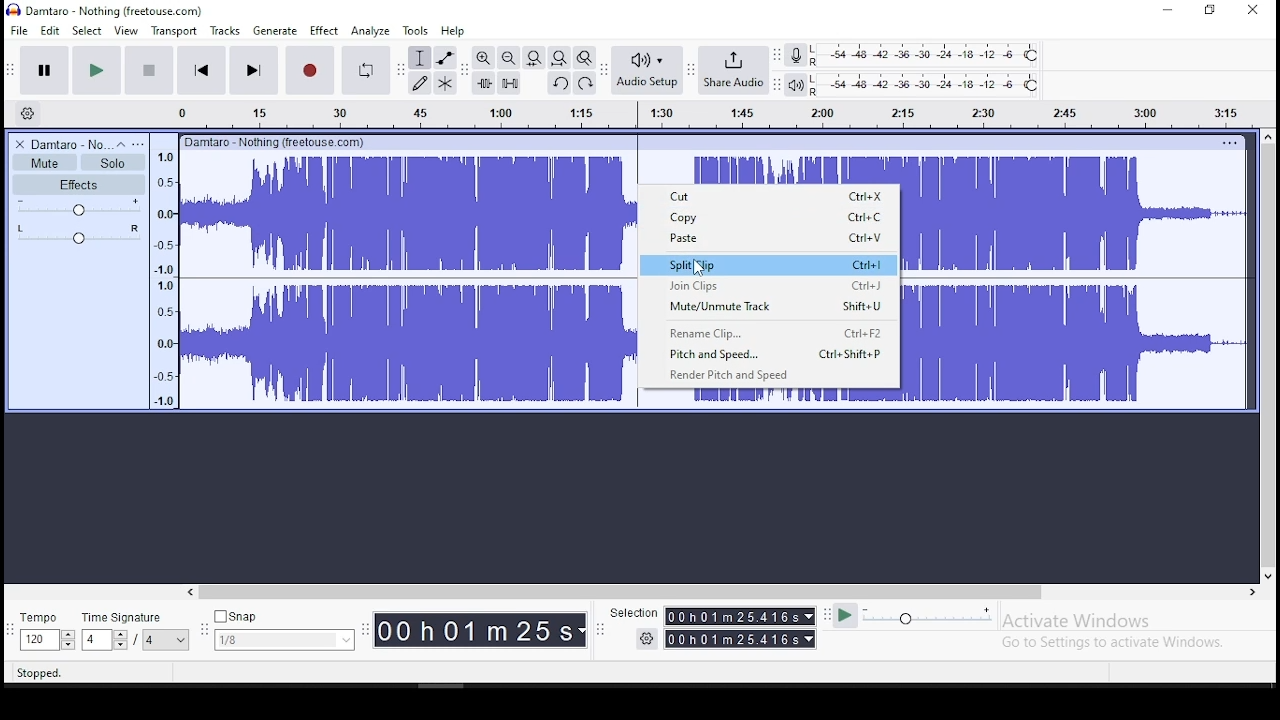  What do you see at coordinates (699, 269) in the screenshot?
I see `cursor` at bounding box center [699, 269].